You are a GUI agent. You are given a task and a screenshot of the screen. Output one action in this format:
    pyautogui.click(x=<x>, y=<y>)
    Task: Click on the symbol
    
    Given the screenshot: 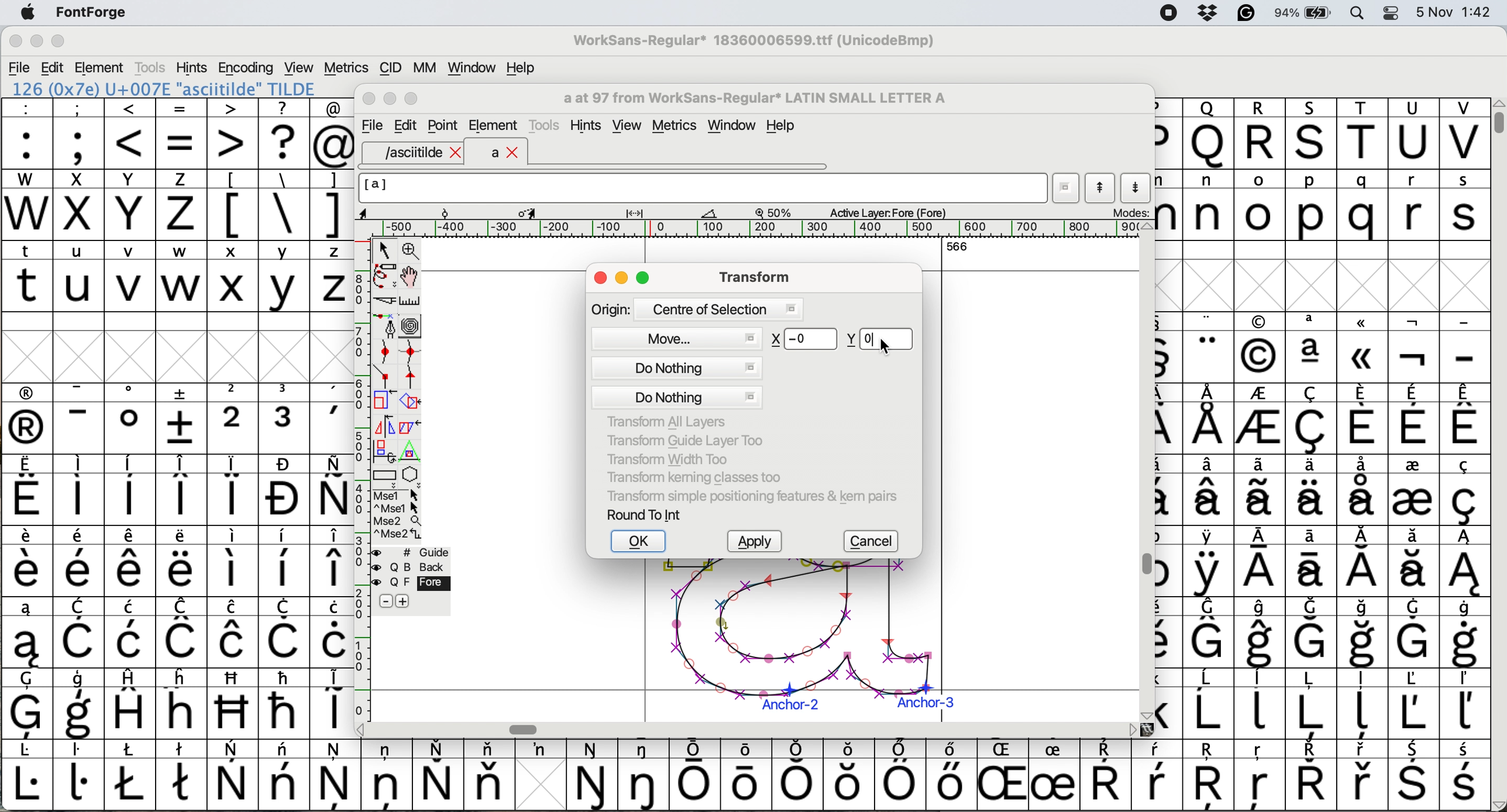 What is the action you would take?
    pyautogui.click(x=1466, y=776)
    